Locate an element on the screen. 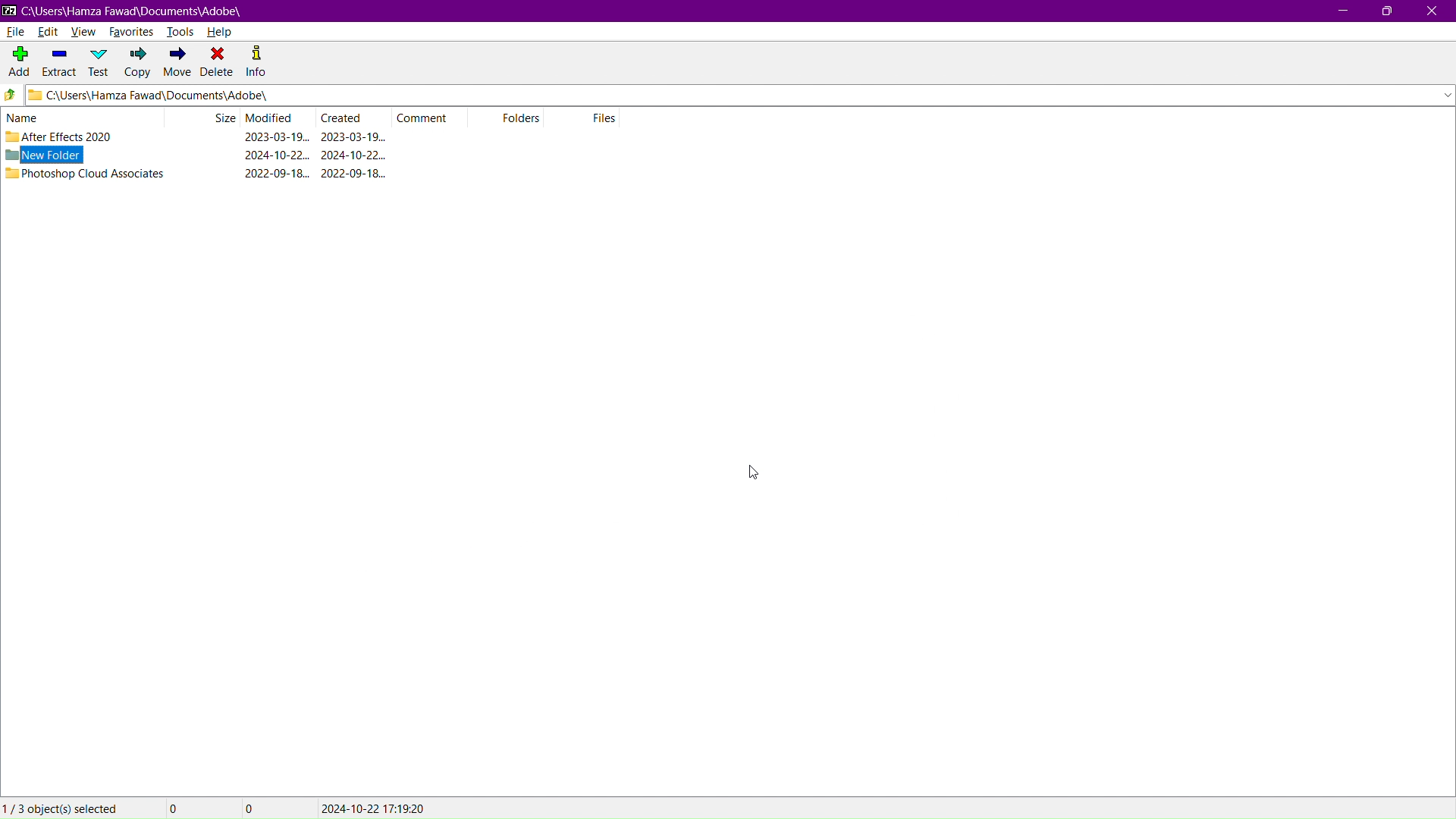 The width and height of the screenshot is (1456, 819). Delete is located at coordinates (218, 63).